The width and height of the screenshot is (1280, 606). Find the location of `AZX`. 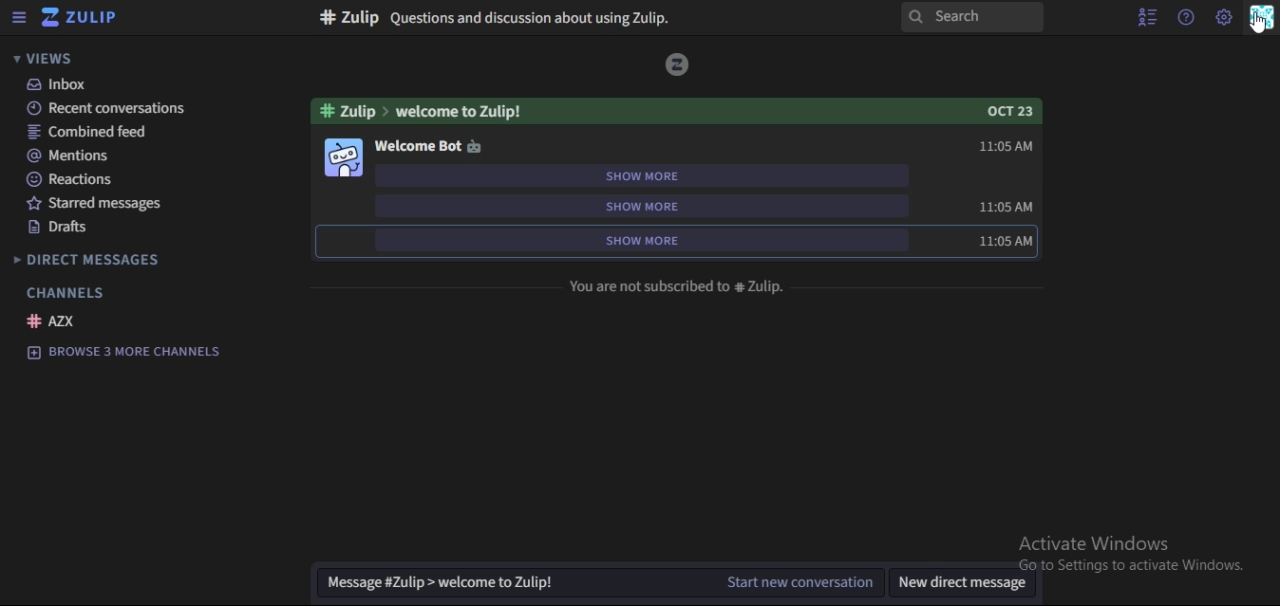

AZX is located at coordinates (56, 320).